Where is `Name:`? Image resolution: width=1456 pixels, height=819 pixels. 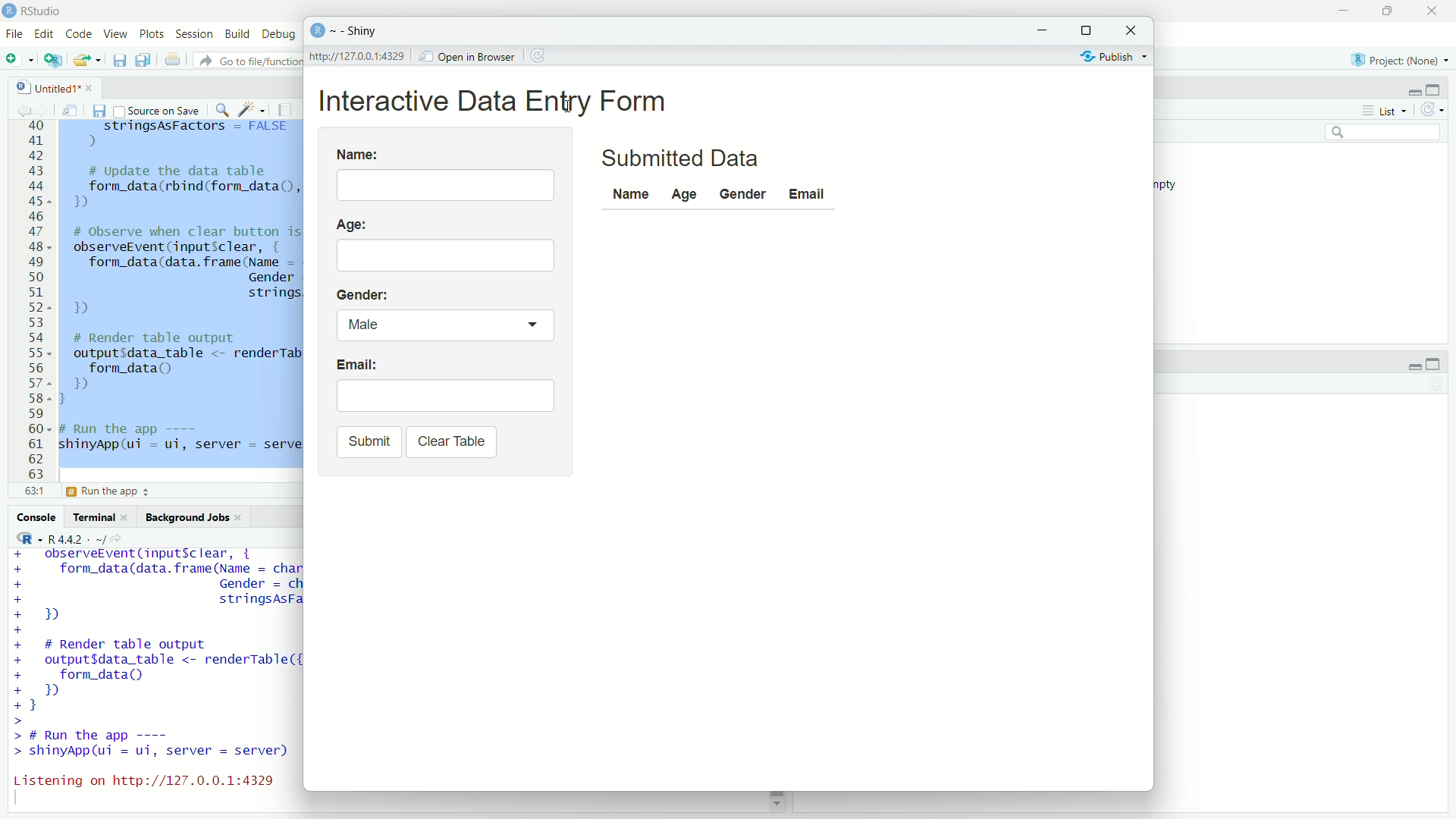 Name: is located at coordinates (358, 152).